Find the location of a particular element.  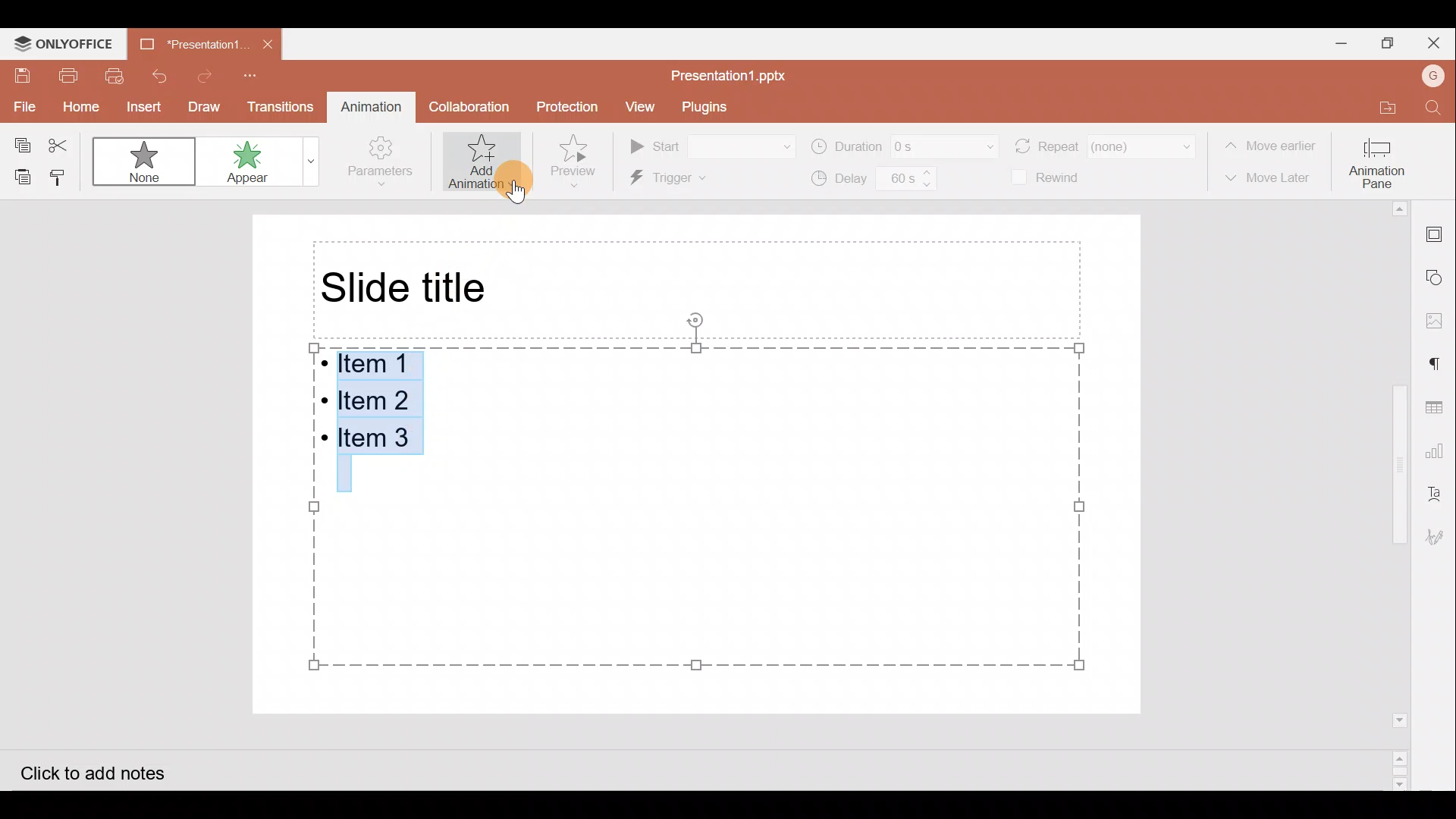

Signature settings is located at coordinates (1441, 541).